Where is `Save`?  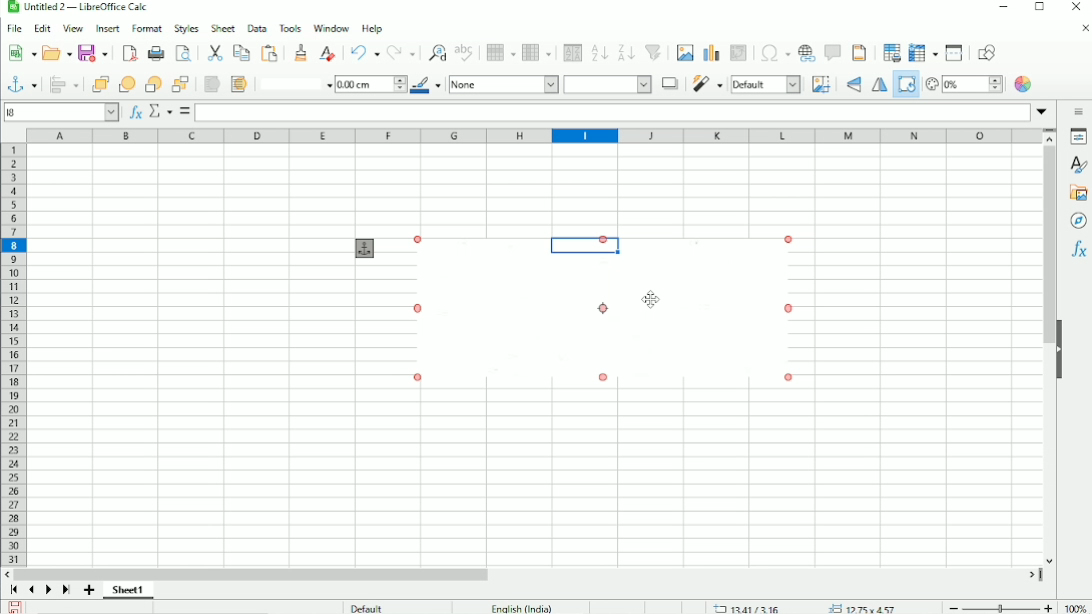
Save is located at coordinates (93, 53).